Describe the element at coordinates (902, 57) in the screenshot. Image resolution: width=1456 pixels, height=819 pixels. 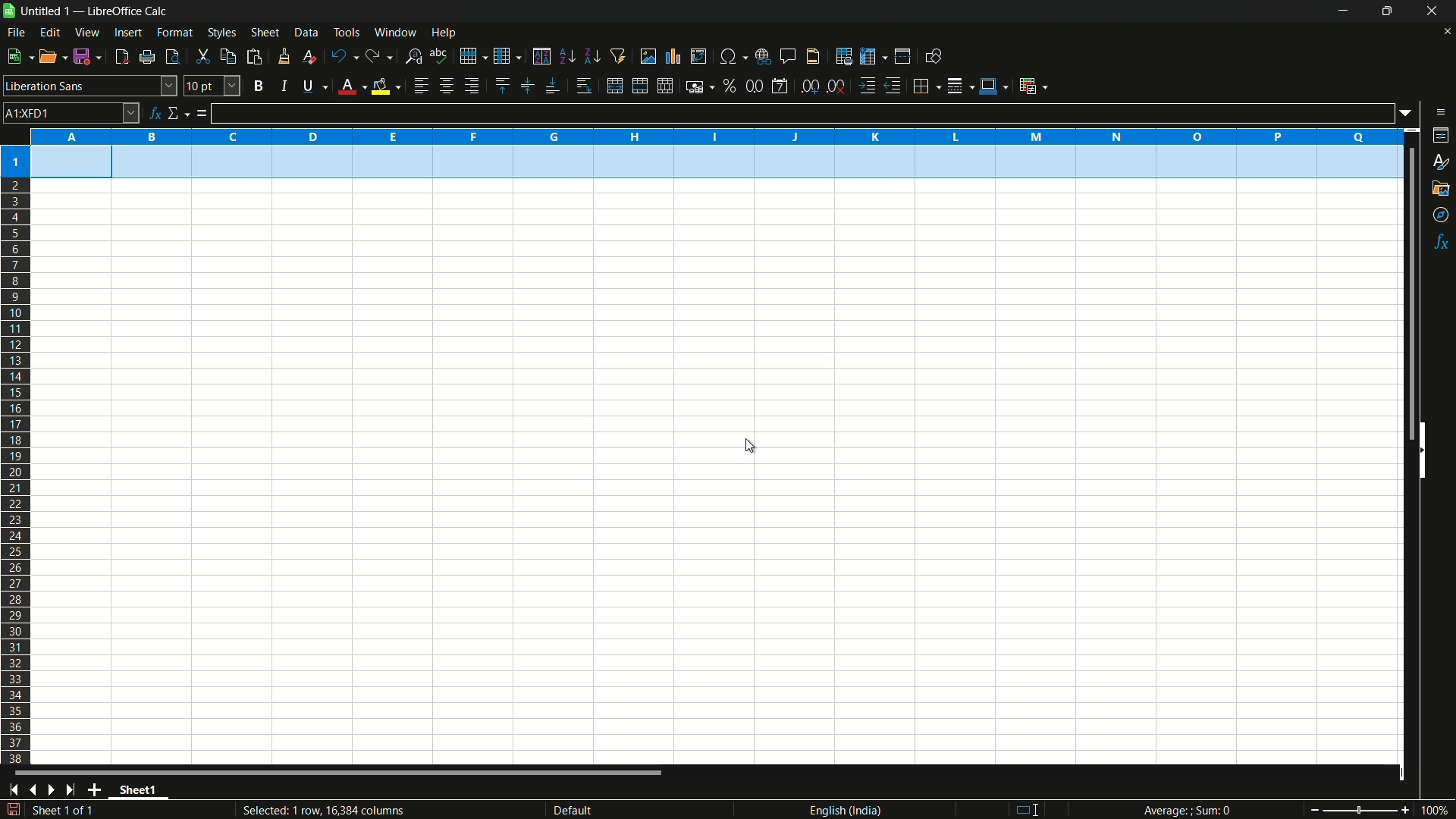
I see `split window` at that location.